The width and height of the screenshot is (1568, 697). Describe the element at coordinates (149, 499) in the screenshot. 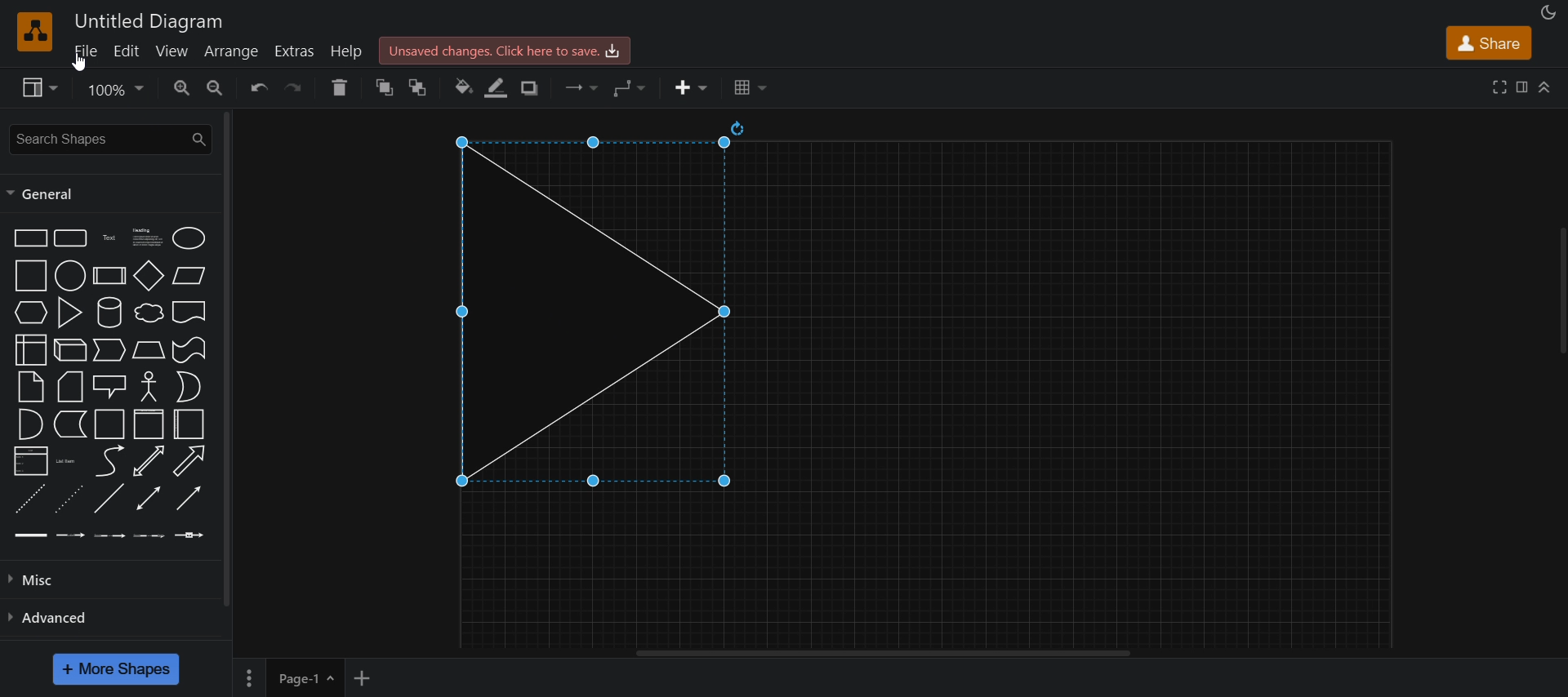

I see `bidirectional connector` at that location.